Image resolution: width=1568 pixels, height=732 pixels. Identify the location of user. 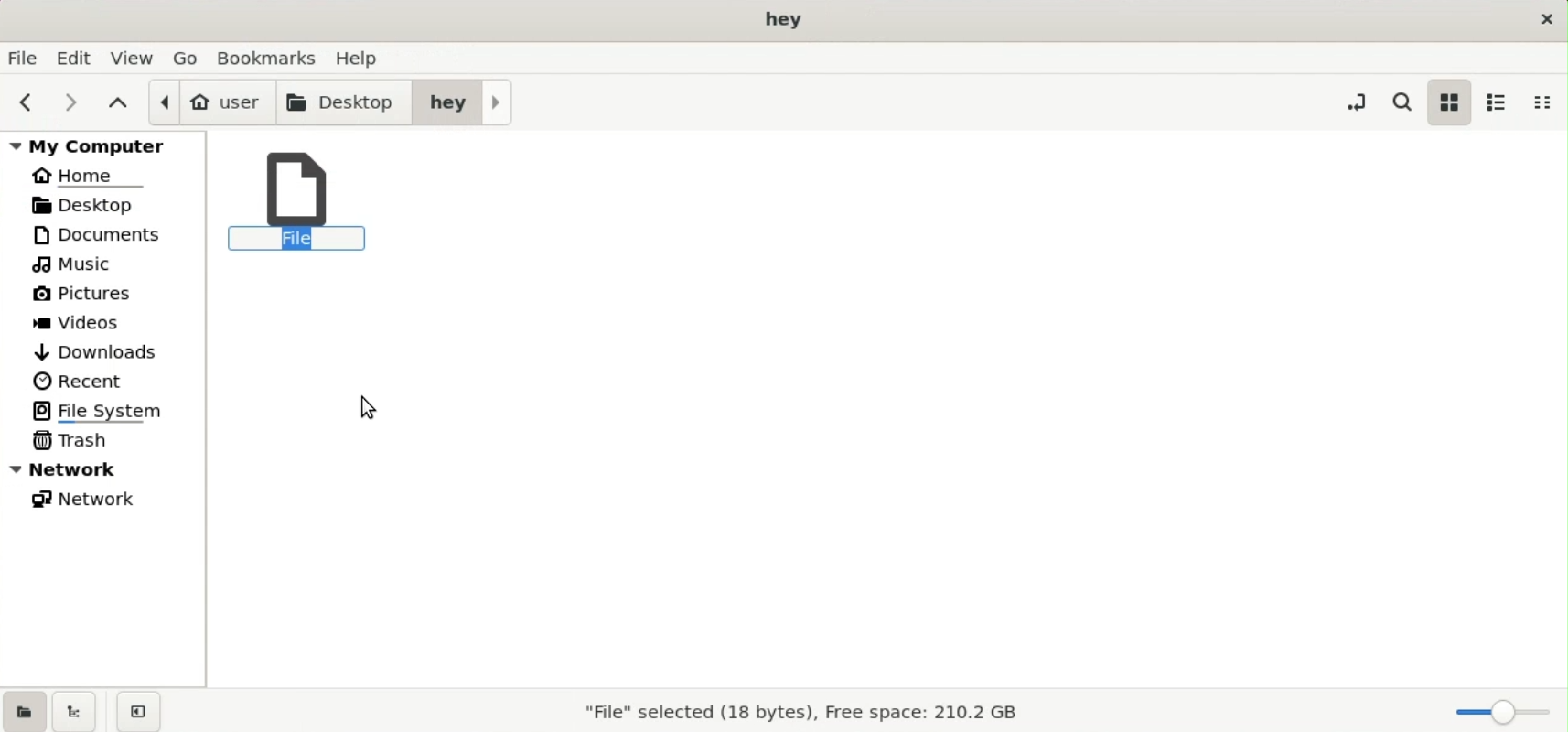
(210, 102).